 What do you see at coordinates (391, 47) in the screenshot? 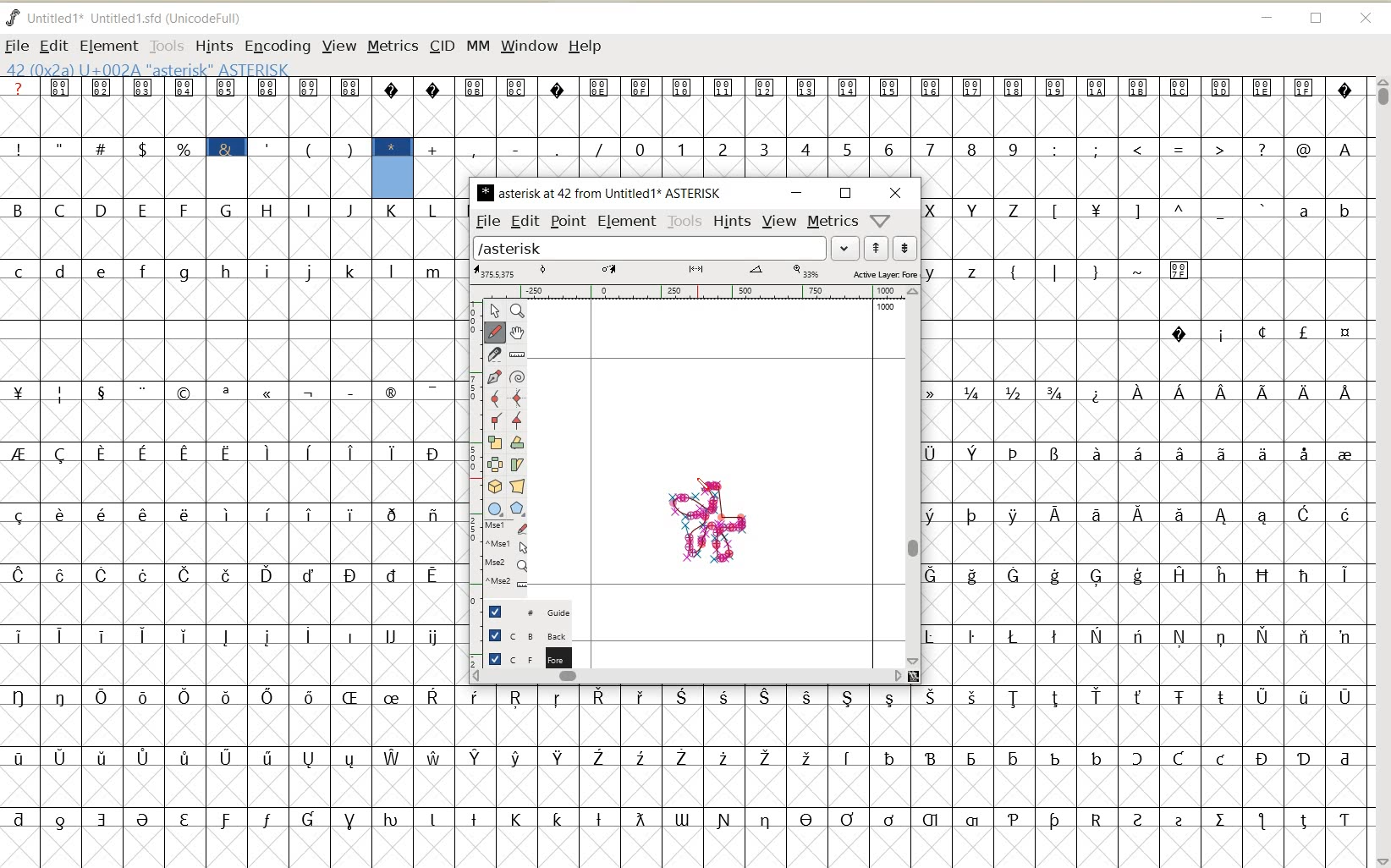
I see `METRICS` at bounding box center [391, 47].